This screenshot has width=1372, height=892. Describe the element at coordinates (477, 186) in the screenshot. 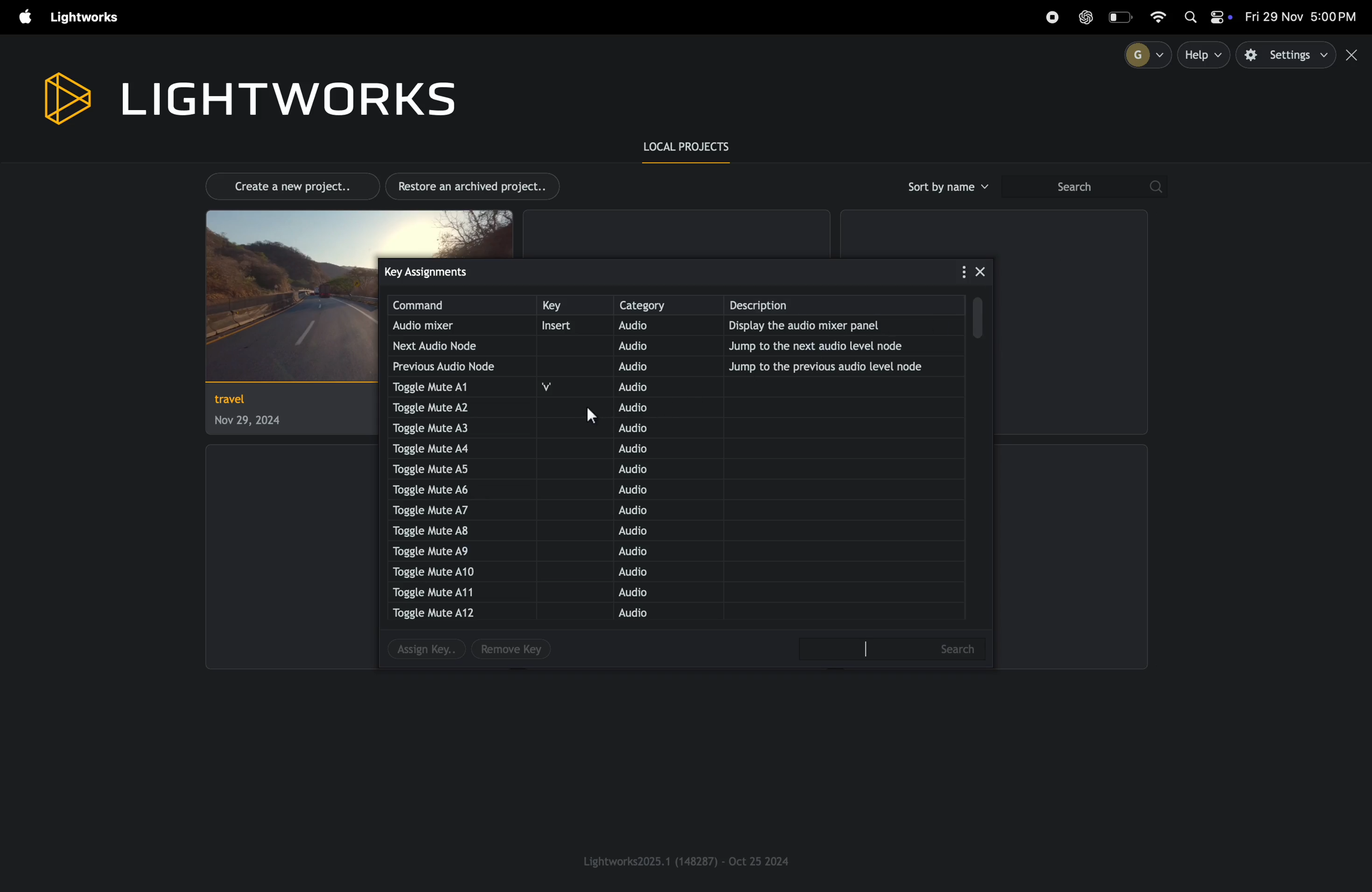

I see `restore archived projects` at that location.